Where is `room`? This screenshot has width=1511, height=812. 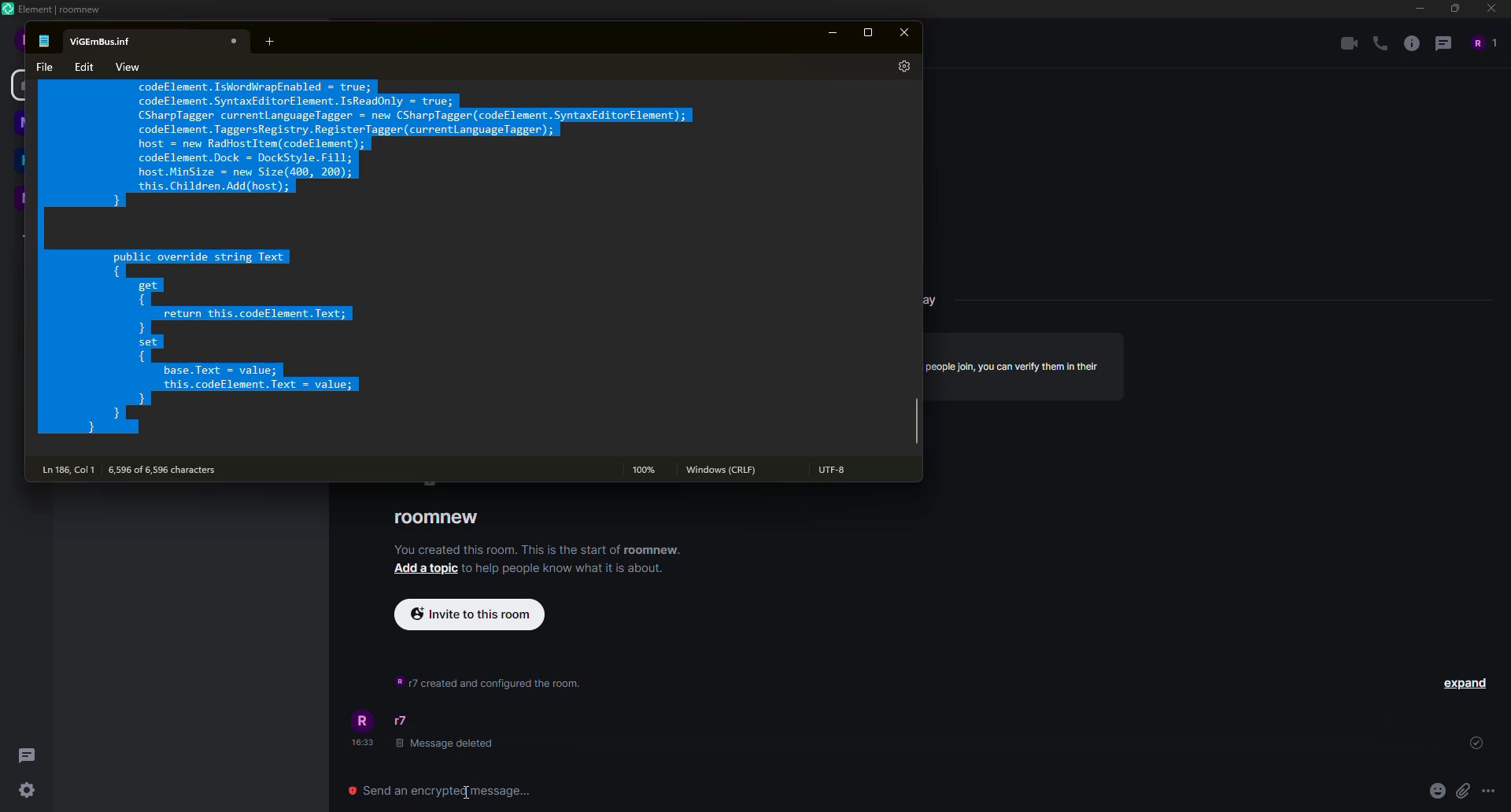 room is located at coordinates (438, 518).